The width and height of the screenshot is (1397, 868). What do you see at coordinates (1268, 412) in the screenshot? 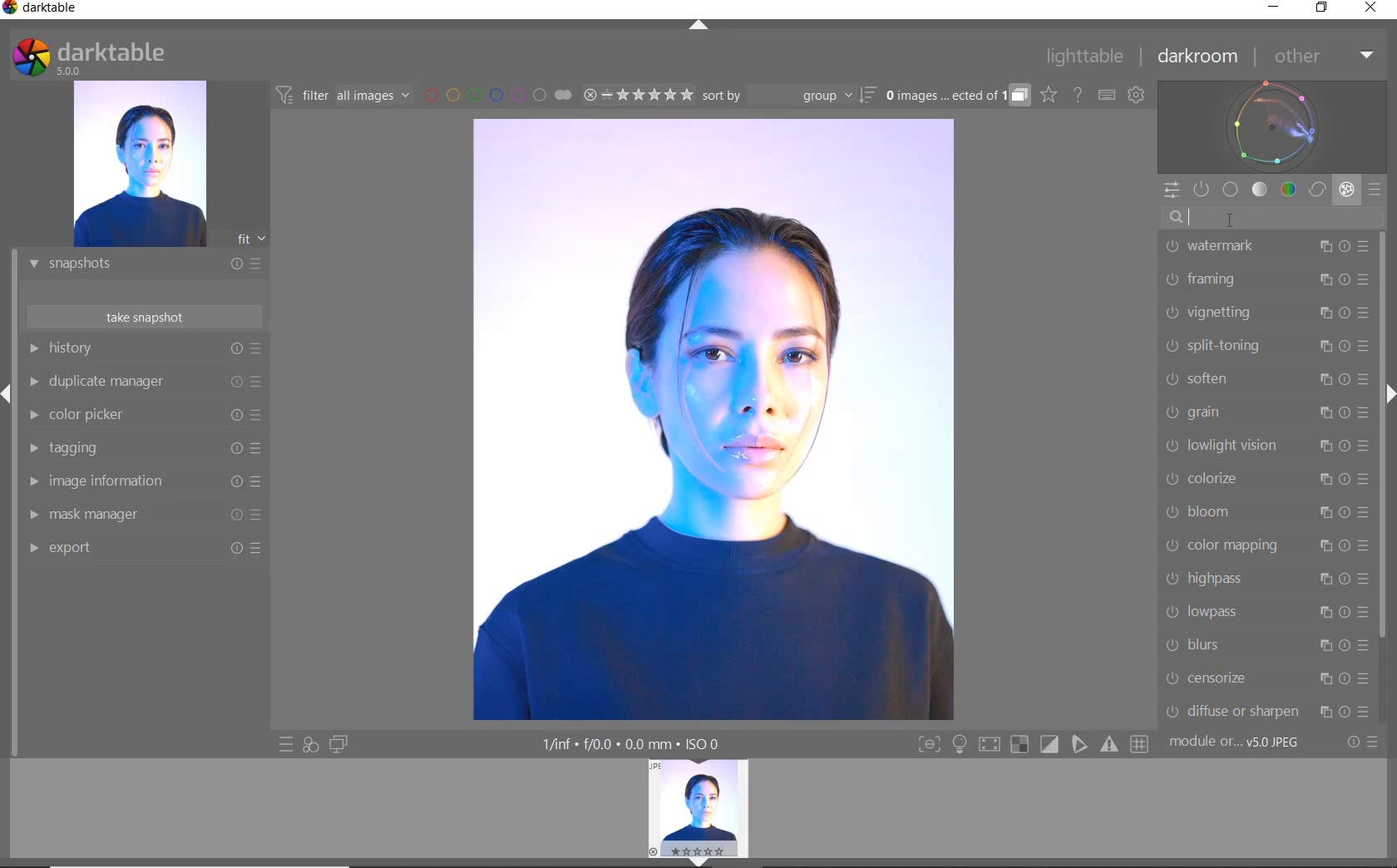
I see `GRAIN` at bounding box center [1268, 412].